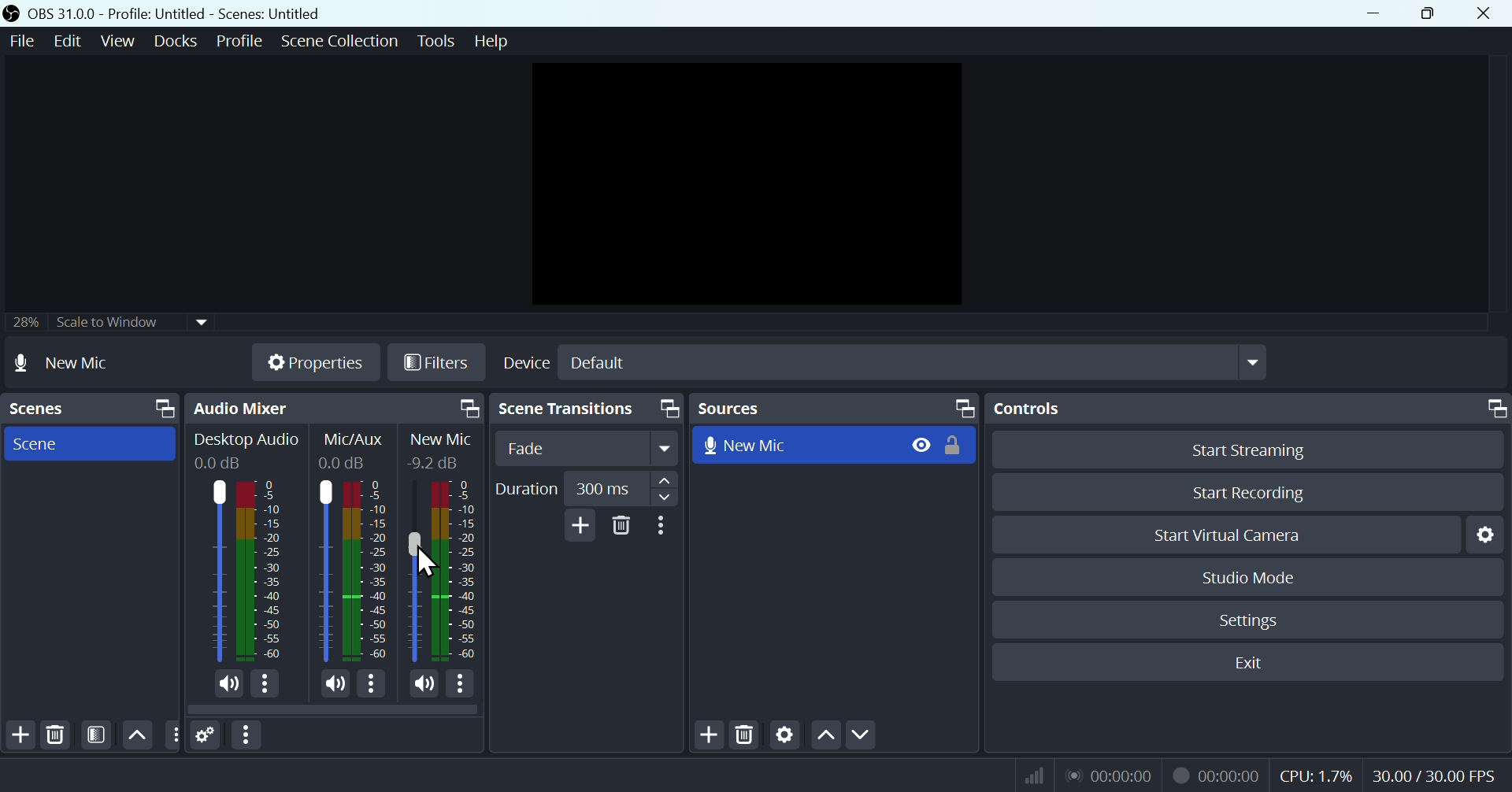  What do you see at coordinates (86, 442) in the screenshot?
I see `Scene` at bounding box center [86, 442].